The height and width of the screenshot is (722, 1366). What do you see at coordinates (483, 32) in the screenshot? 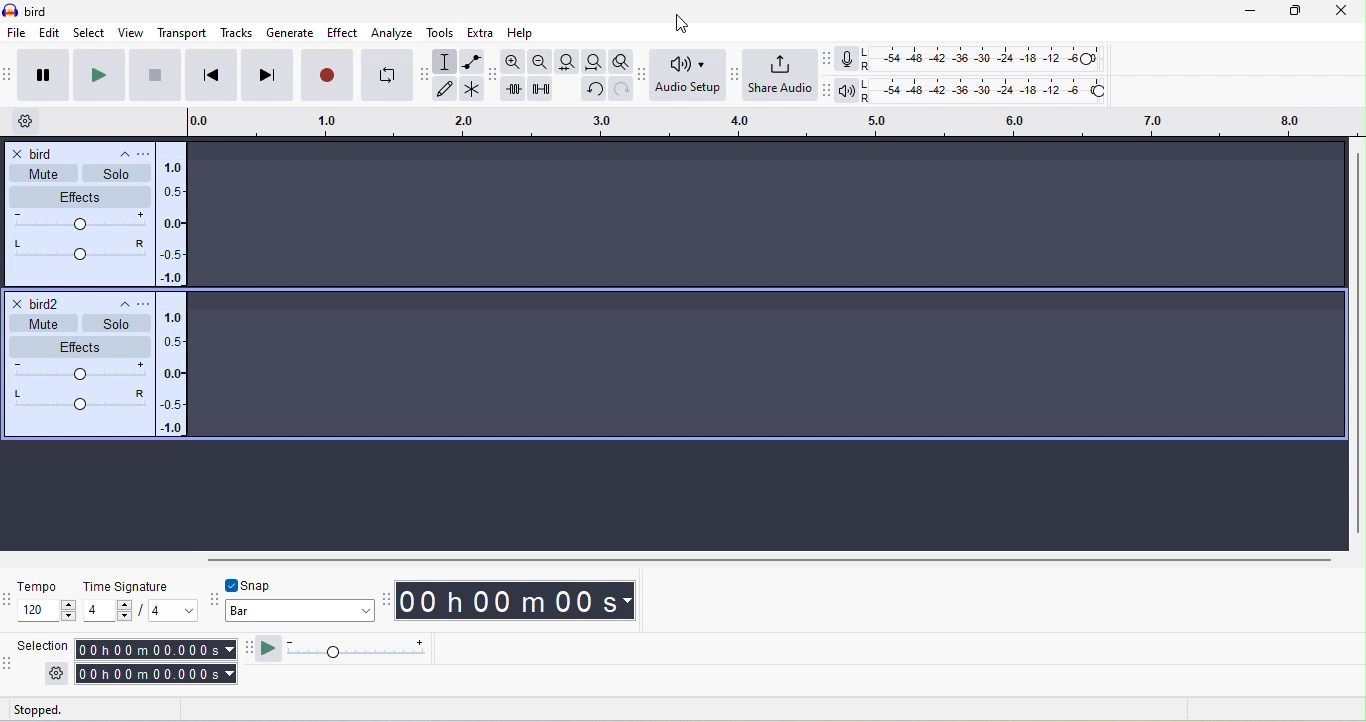
I see `extra` at bounding box center [483, 32].